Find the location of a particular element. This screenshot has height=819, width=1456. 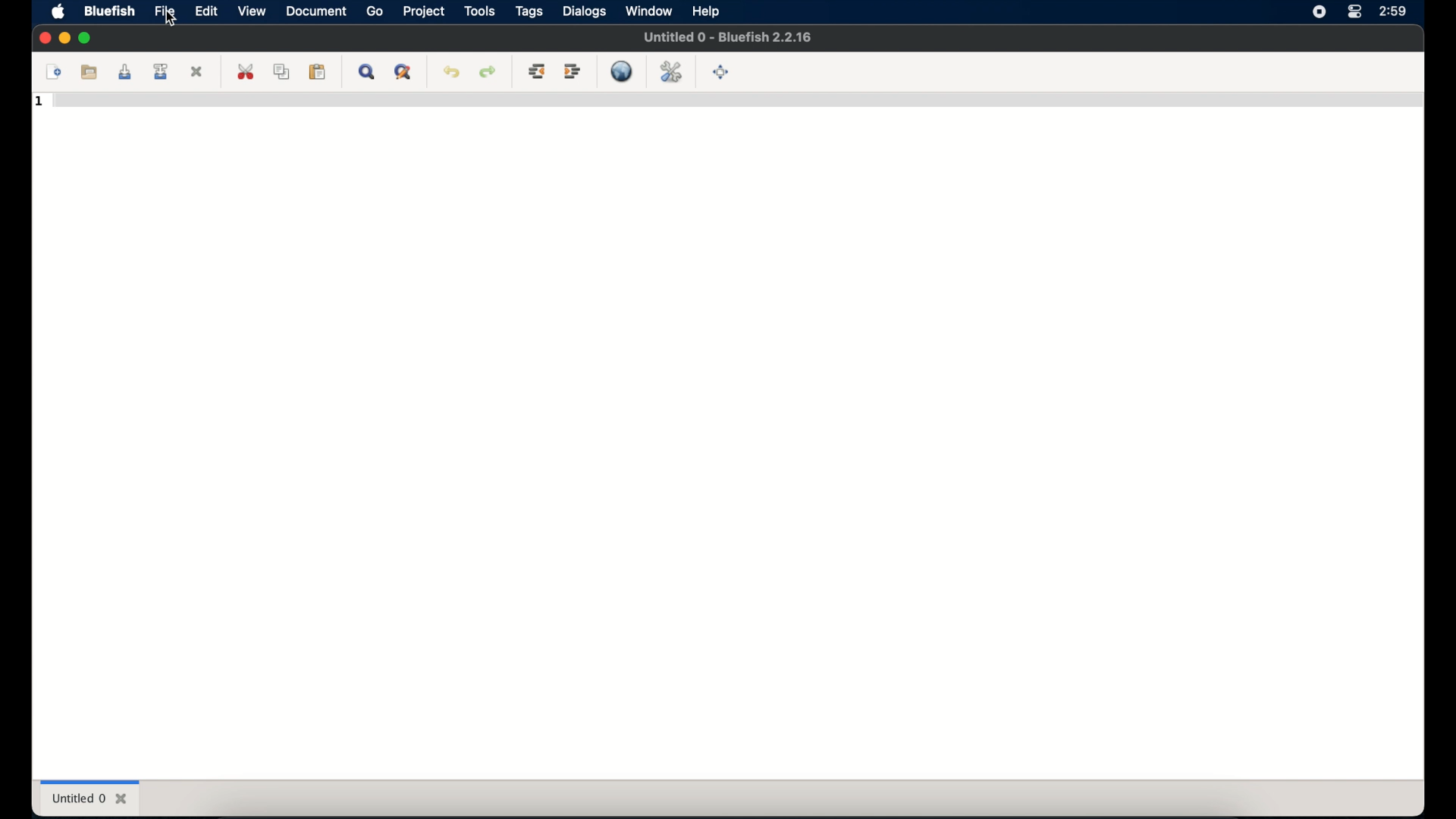

undo is located at coordinates (452, 71).